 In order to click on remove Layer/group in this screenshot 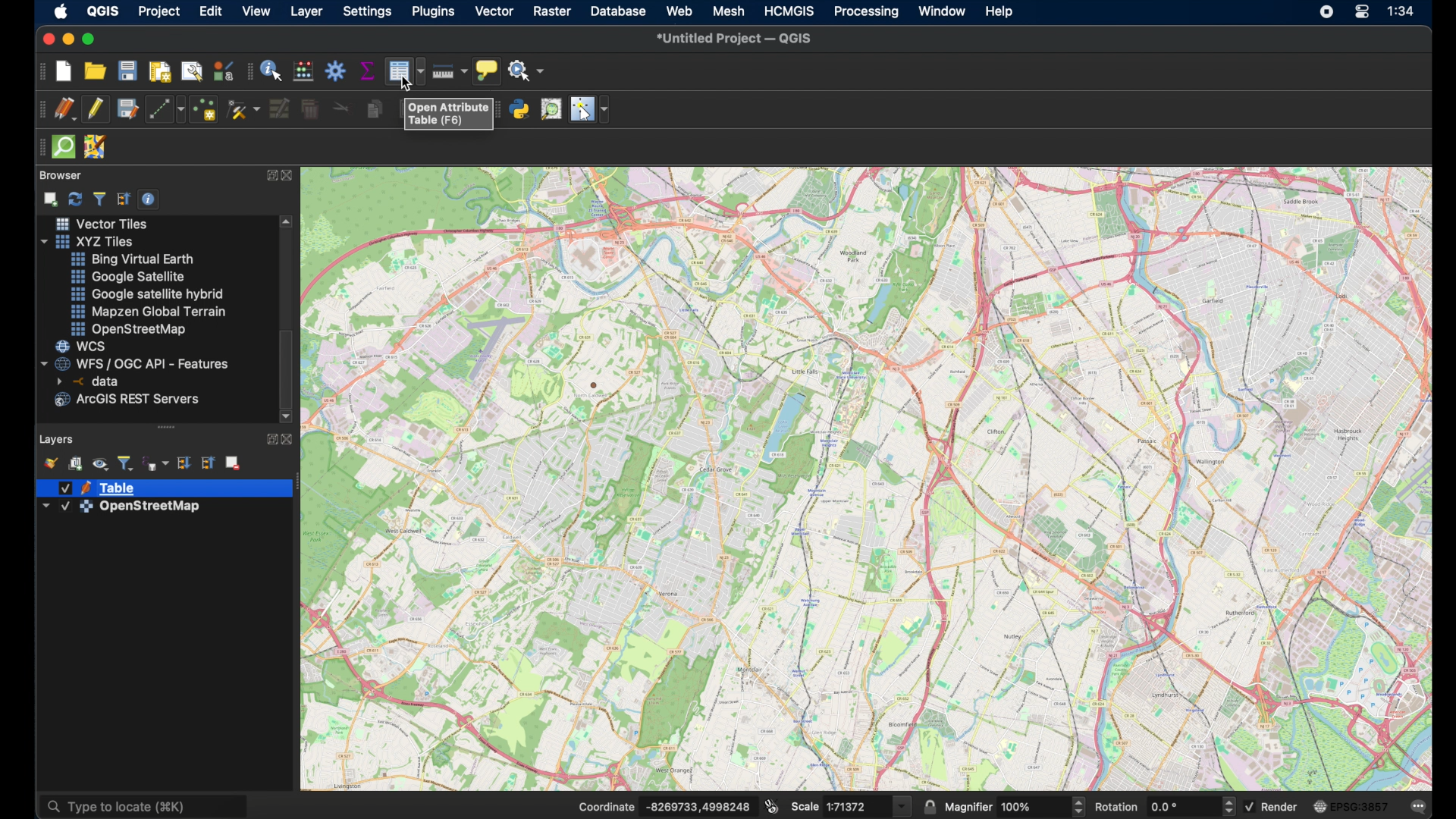, I will do `click(234, 462)`.